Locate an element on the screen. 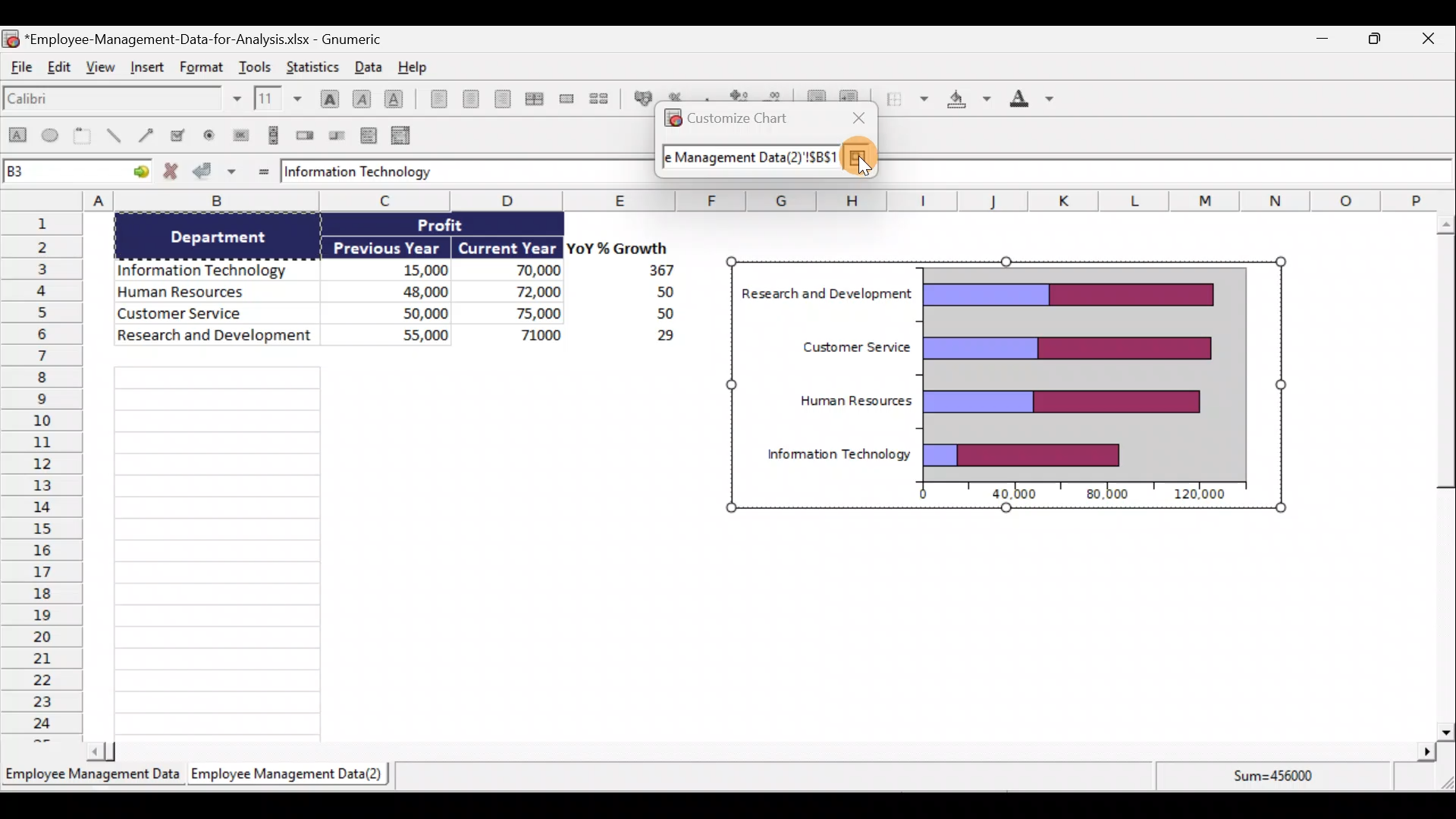  View is located at coordinates (101, 67).